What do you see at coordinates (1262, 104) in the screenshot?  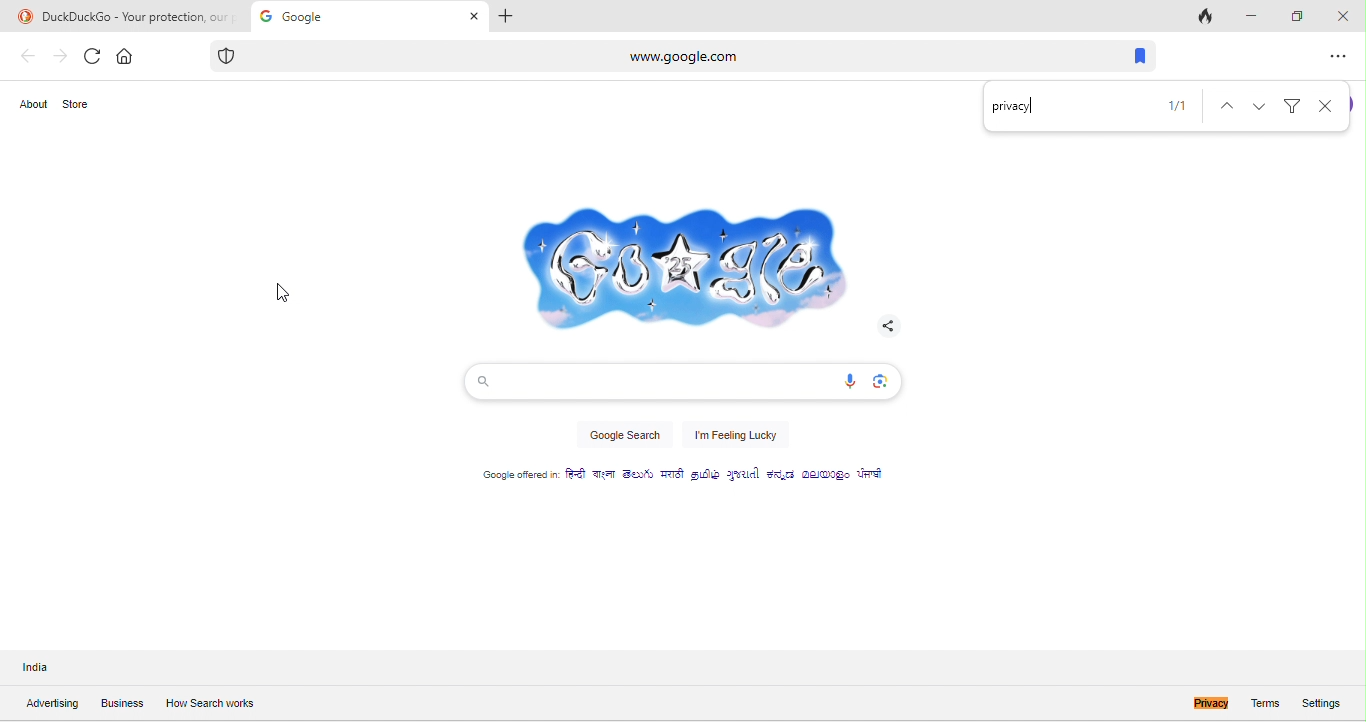 I see `down` at bounding box center [1262, 104].